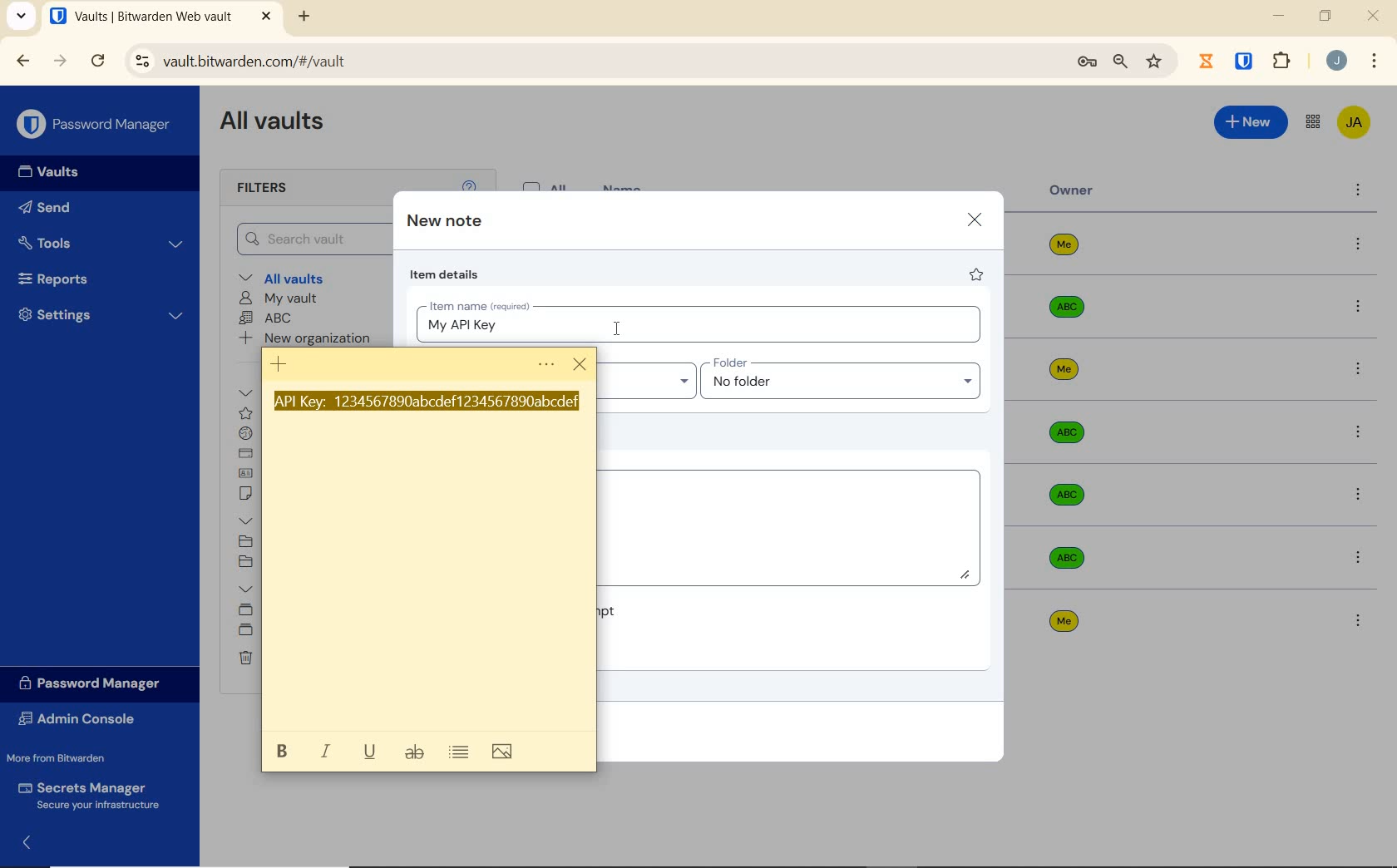  Describe the element at coordinates (311, 238) in the screenshot. I see `Search Vault` at that location.